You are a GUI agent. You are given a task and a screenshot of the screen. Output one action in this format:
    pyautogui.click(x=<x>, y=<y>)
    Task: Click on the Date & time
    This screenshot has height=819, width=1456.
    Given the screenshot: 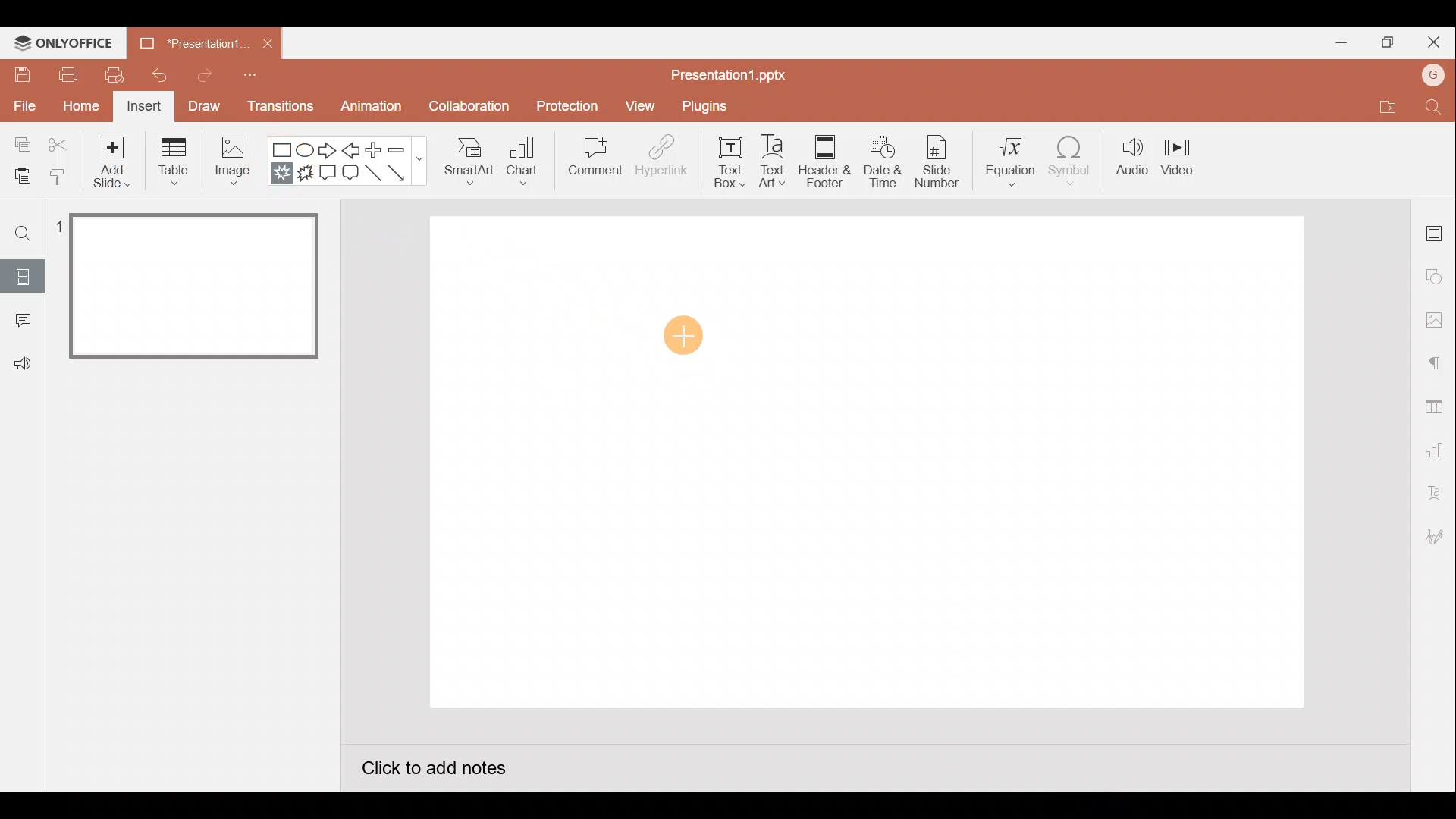 What is the action you would take?
    pyautogui.click(x=880, y=160)
    